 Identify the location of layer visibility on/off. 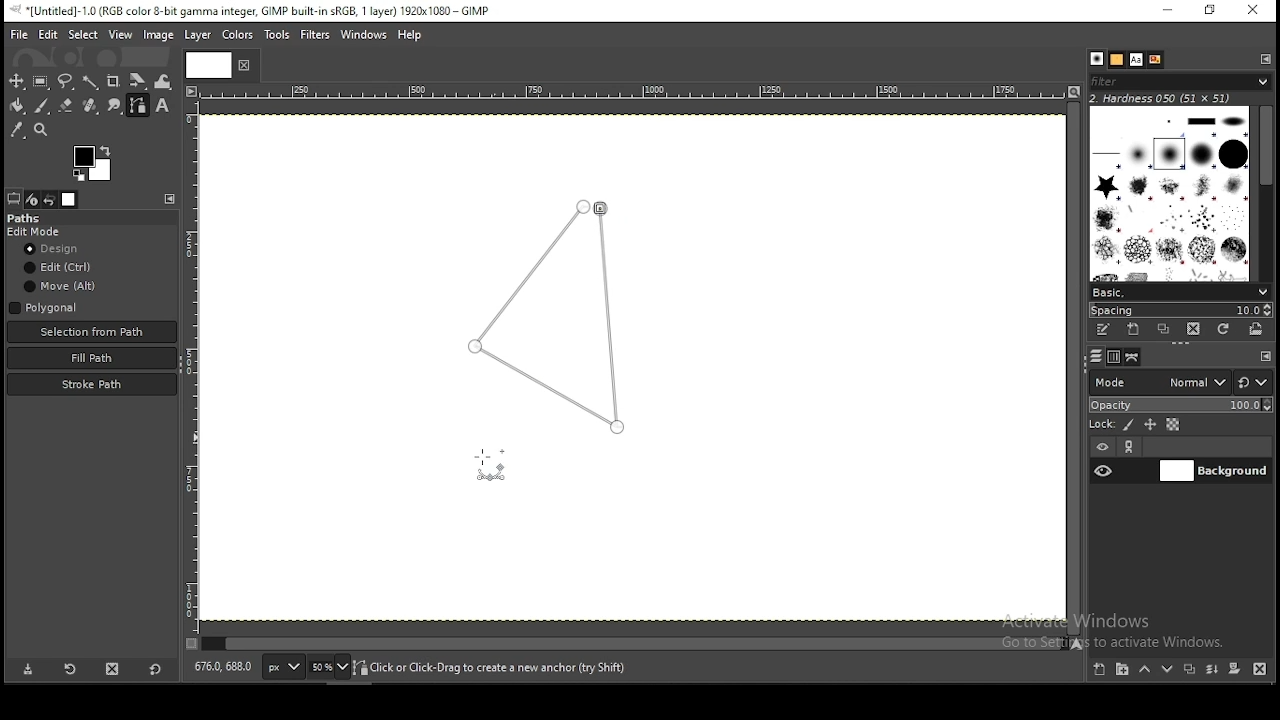
(1104, 470).